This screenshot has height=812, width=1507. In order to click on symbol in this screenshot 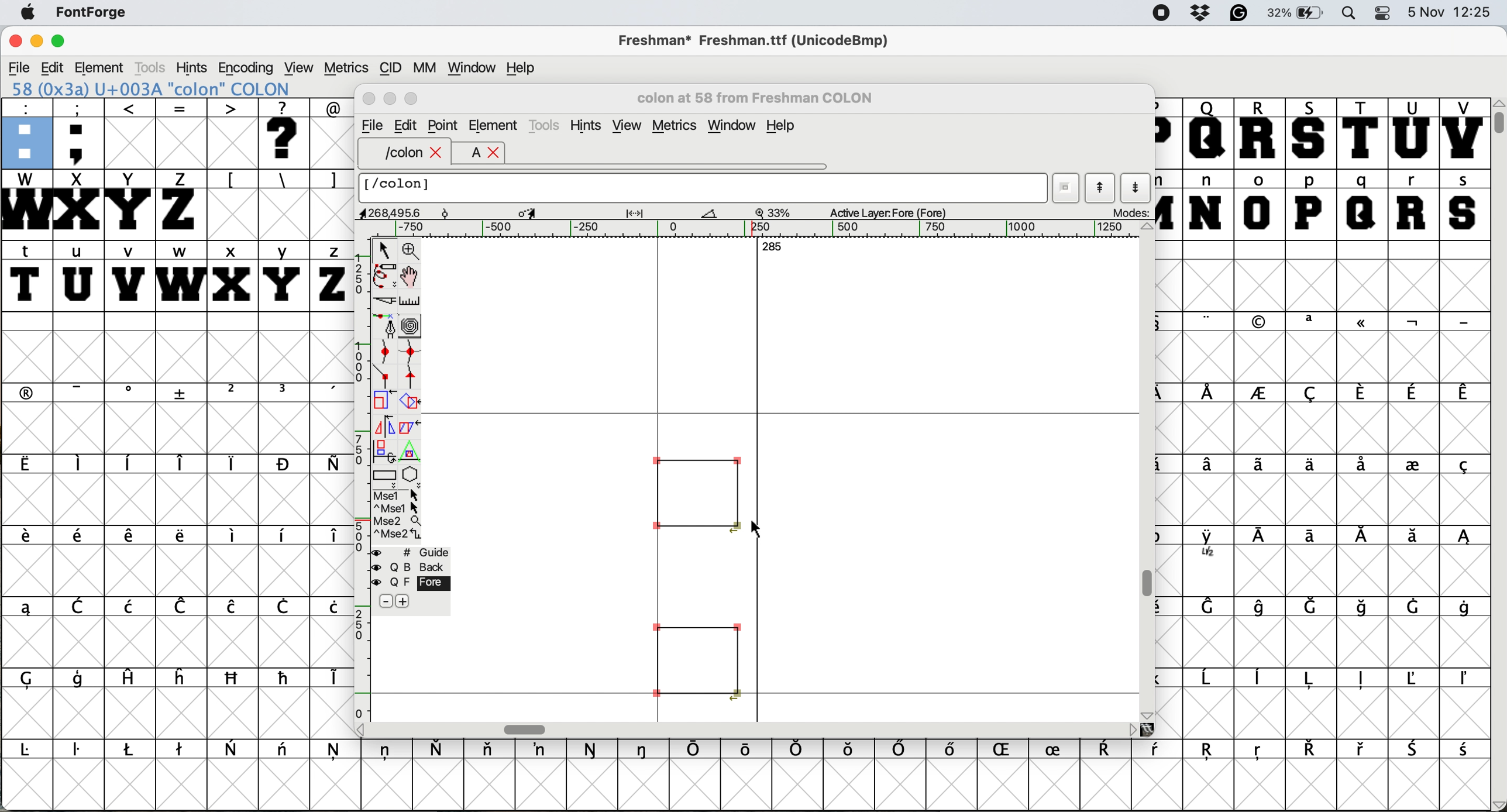, I will do `click(27, 539)`.